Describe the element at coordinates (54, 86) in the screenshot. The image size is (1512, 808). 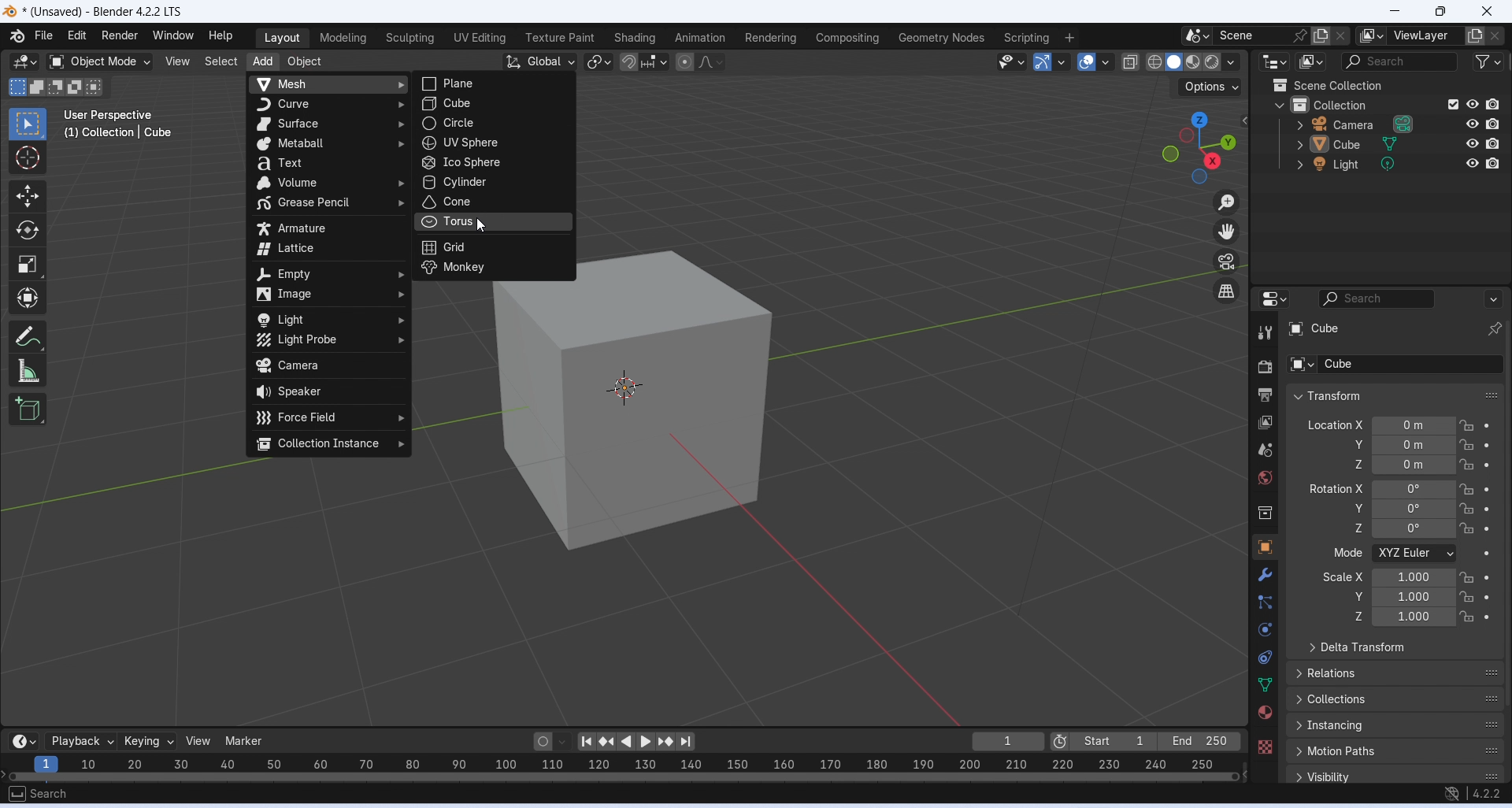
I see `Modes` at that location.